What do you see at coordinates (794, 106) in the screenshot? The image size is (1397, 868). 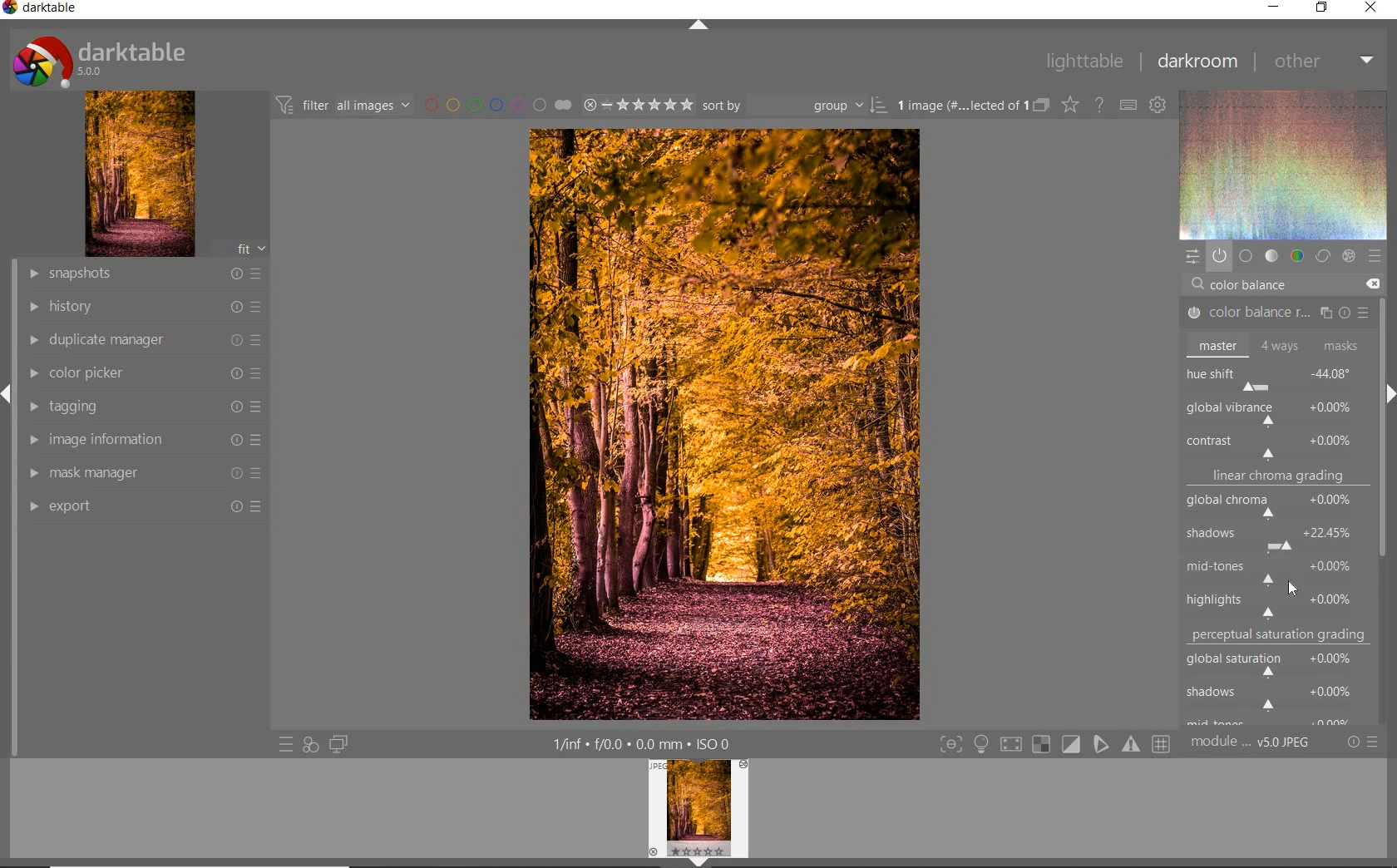 I see `sort` at bounding box center [794, 106].